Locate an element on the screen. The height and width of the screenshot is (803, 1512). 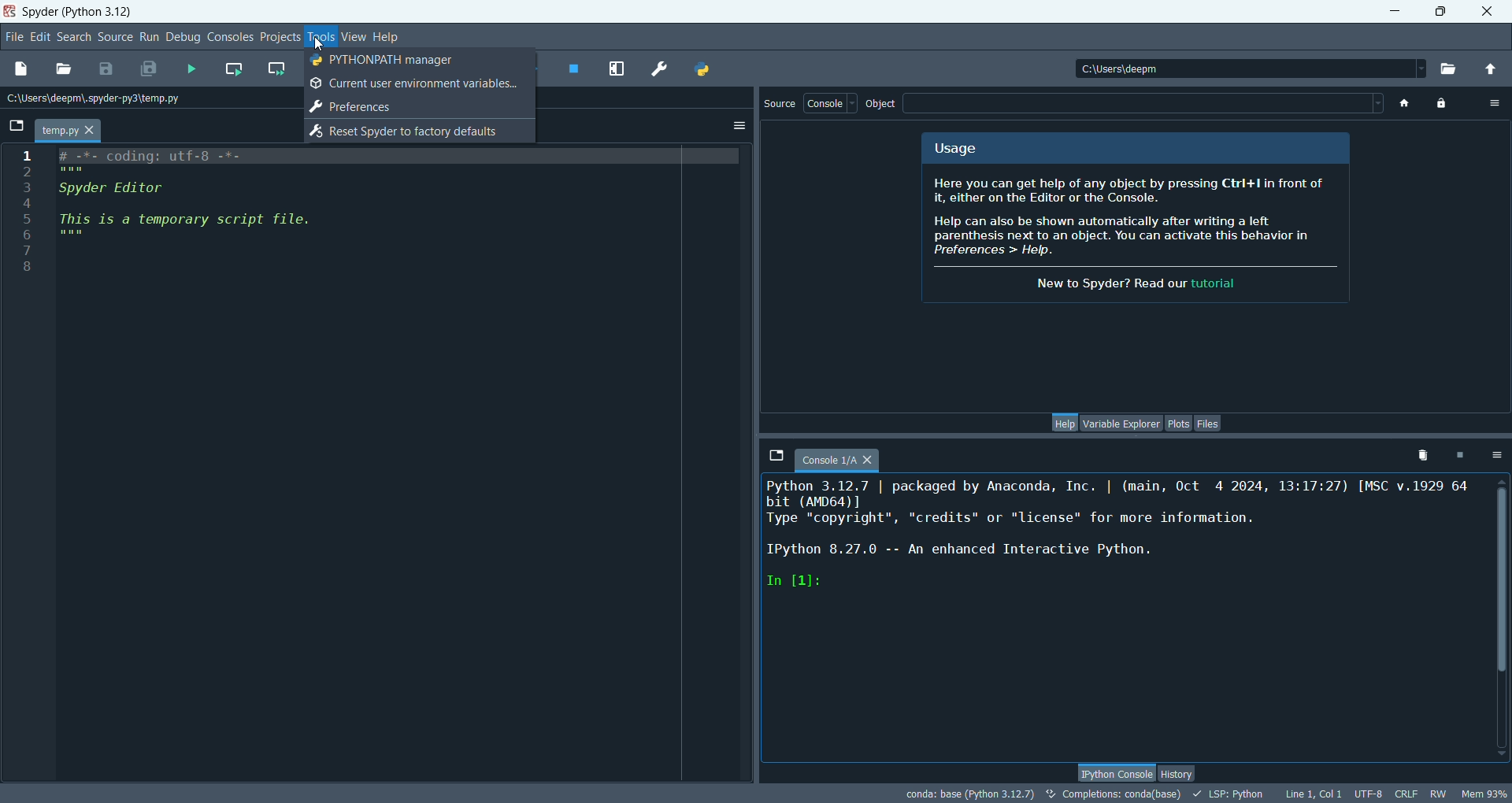
edit is located at coordinates (38, 39).